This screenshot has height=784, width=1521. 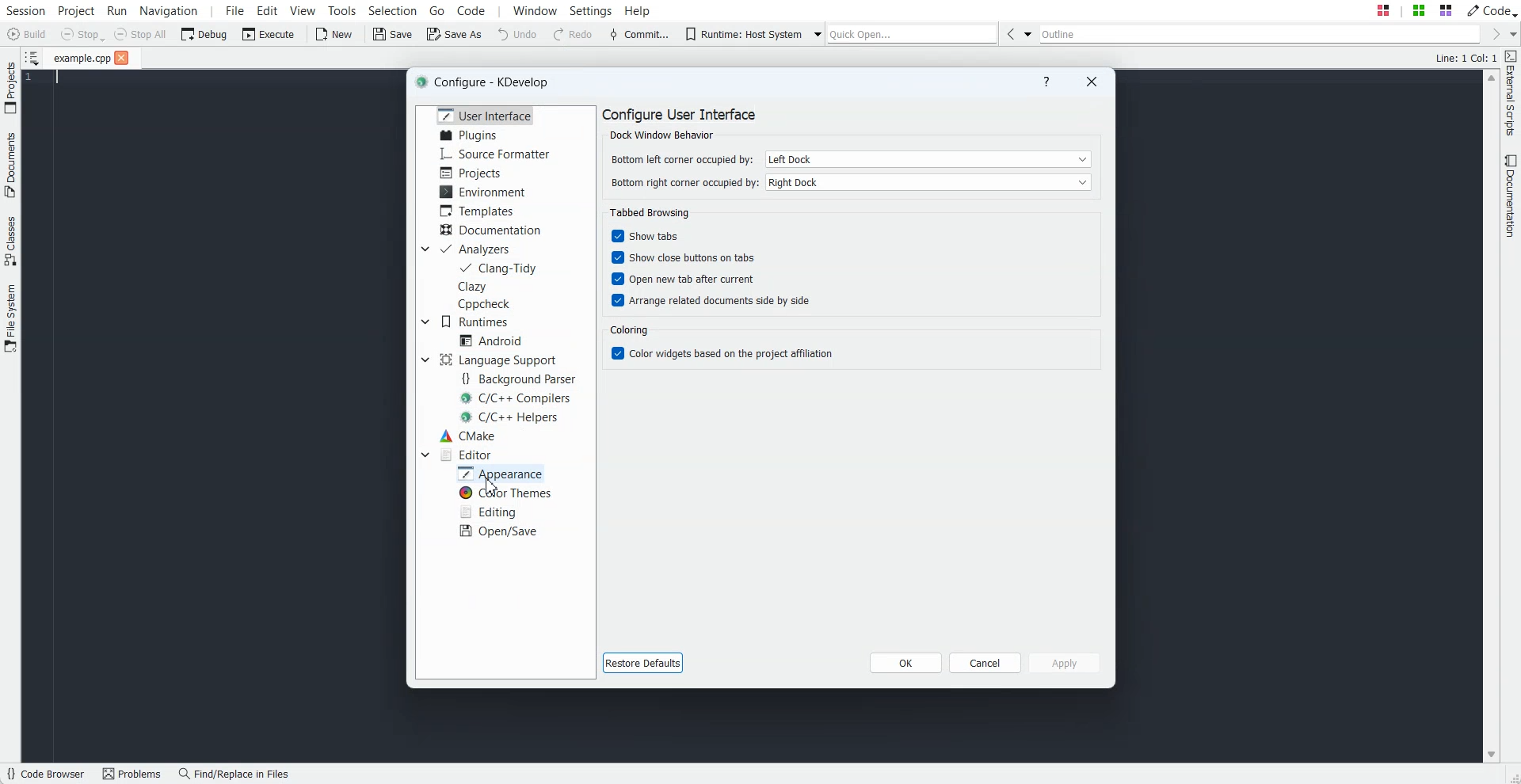 What do you see at coordinates (494, 154) in the screenshot?
I see `Source Formatter` at bounding box center [494, 154].